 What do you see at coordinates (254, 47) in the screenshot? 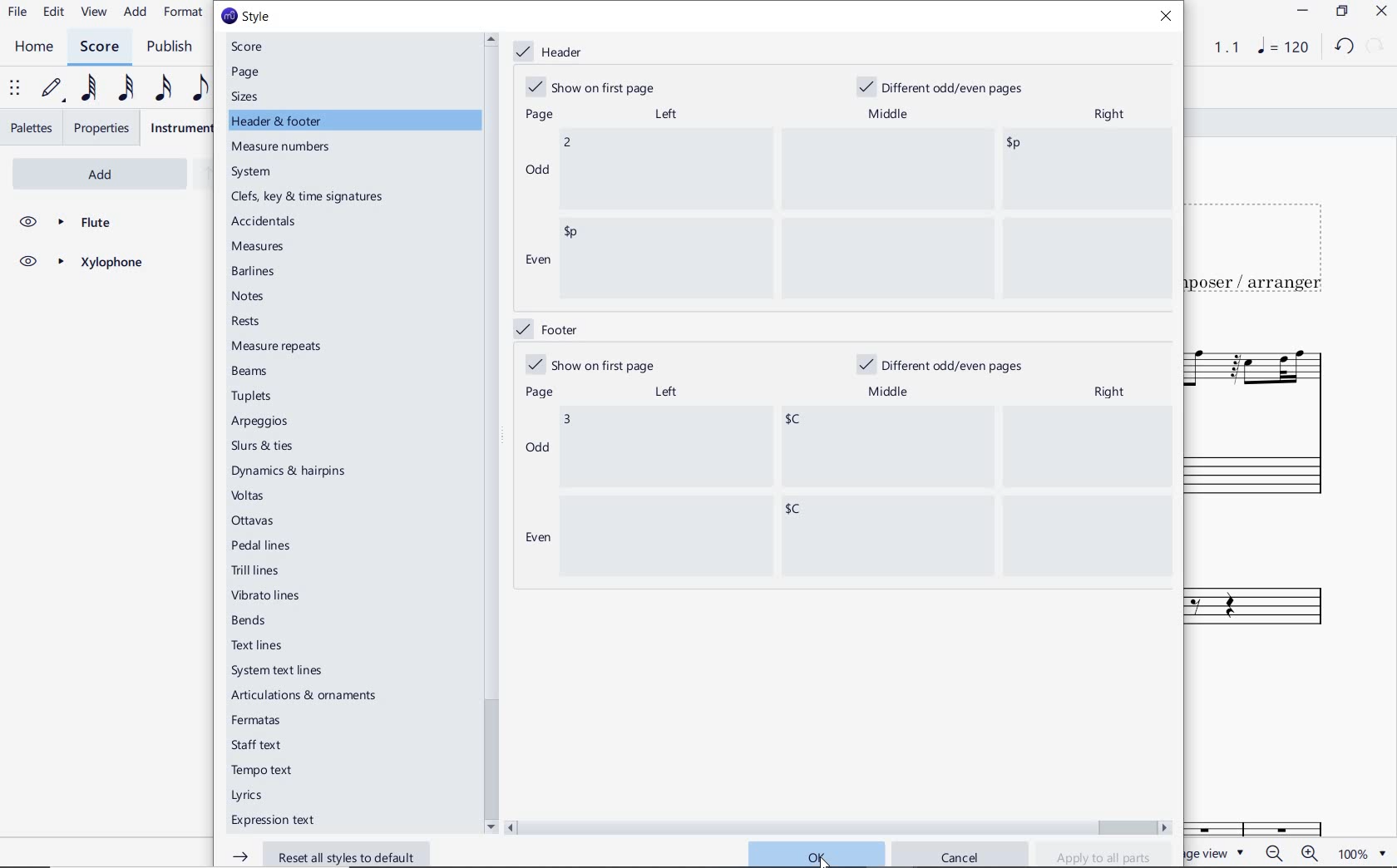
I see `score` at bounding box center [254, 47].